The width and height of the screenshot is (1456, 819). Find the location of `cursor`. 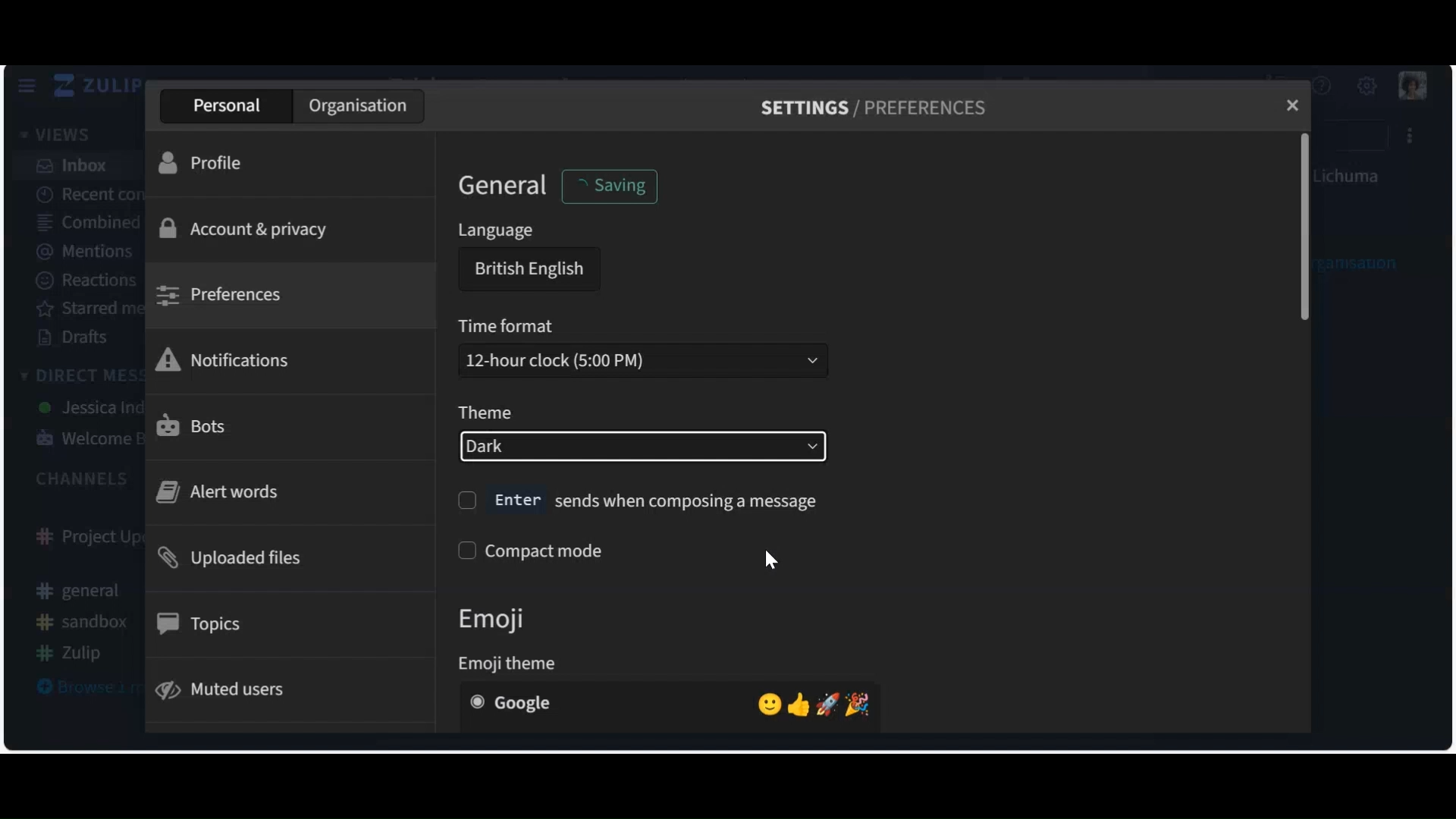

cursor is located at coordinates (778, 562).